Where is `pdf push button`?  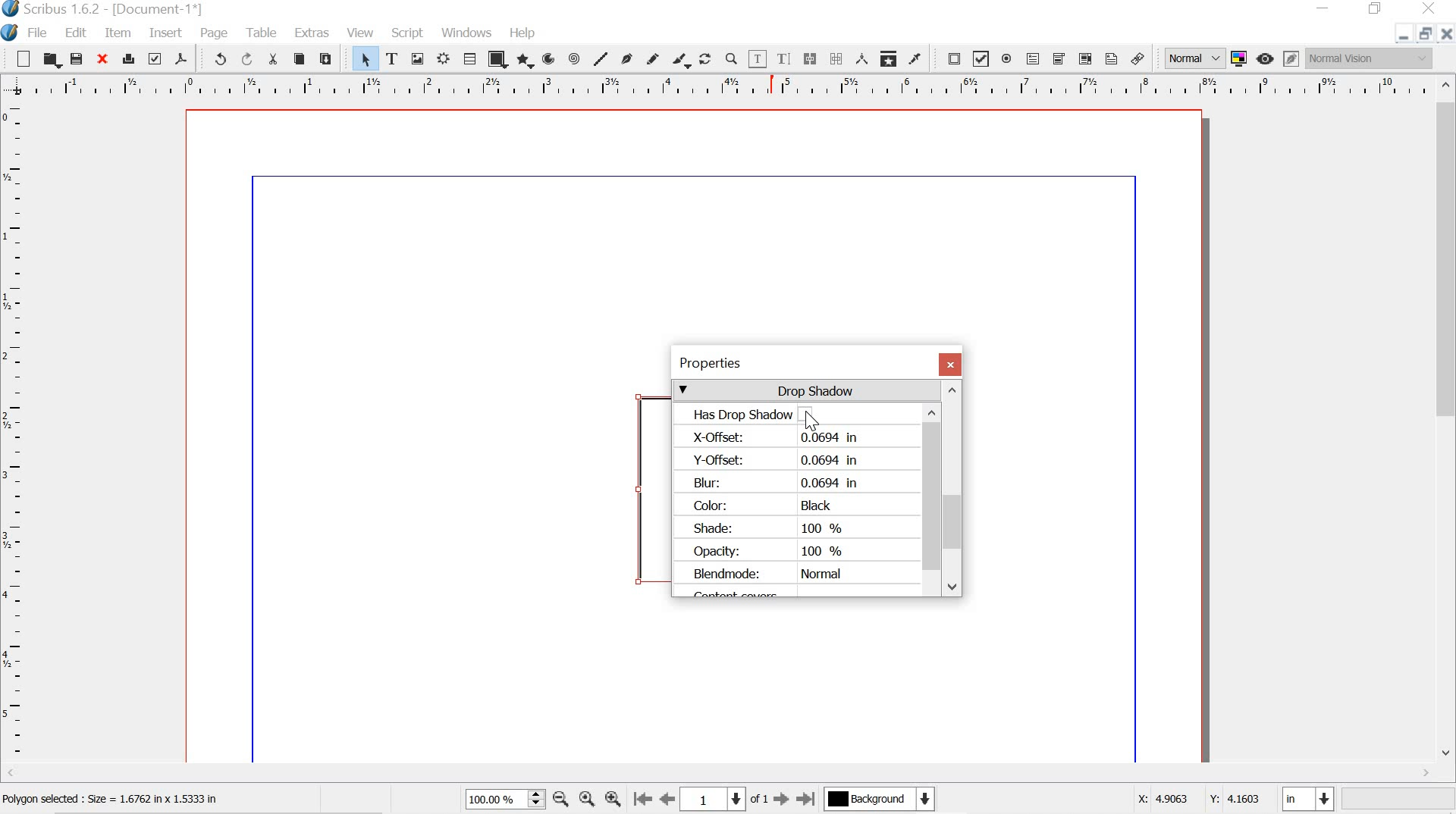 pdf push button is located at coordinates (949, 58).